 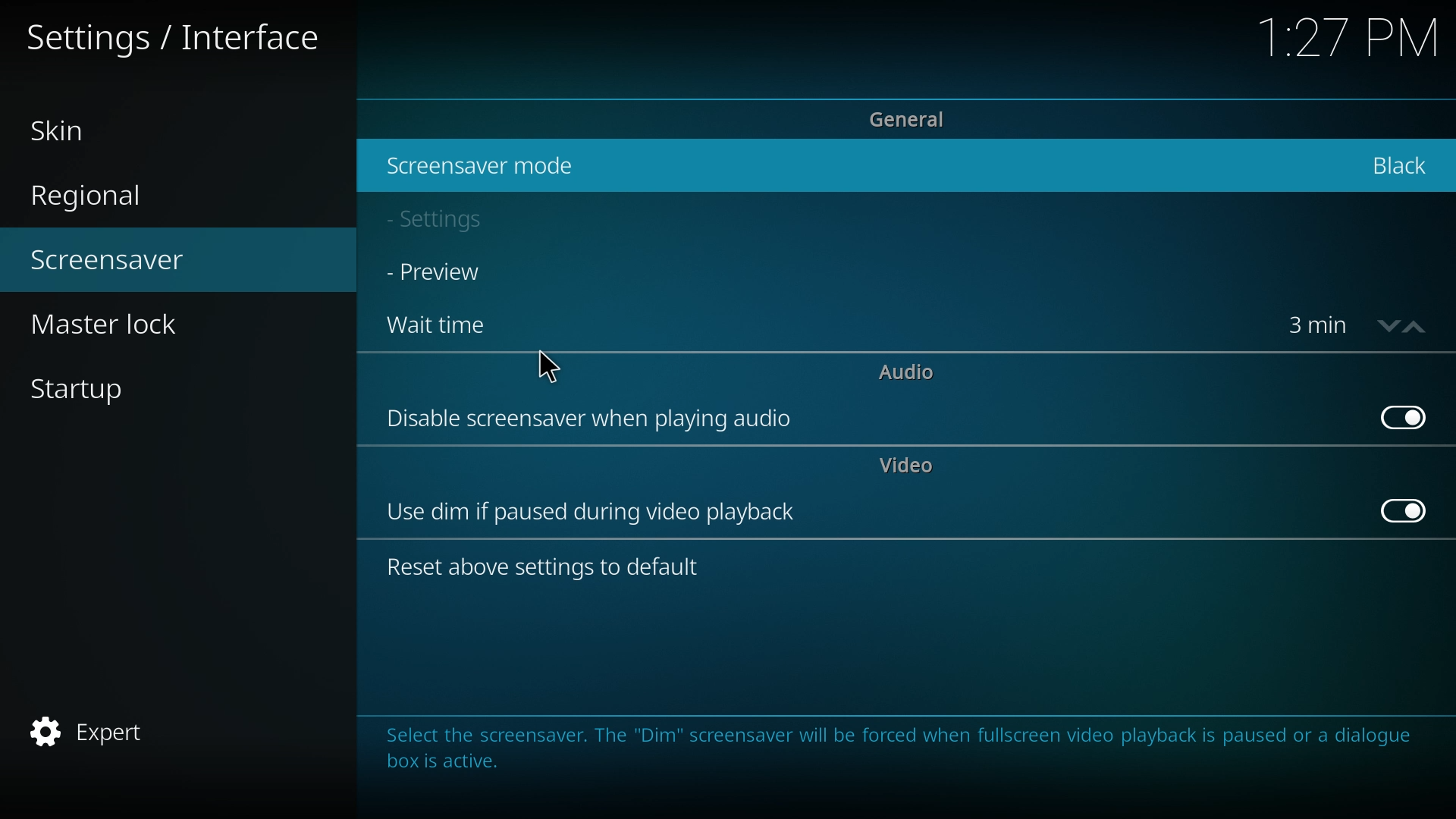 I want to click on off, so click(x=1403, y=417).